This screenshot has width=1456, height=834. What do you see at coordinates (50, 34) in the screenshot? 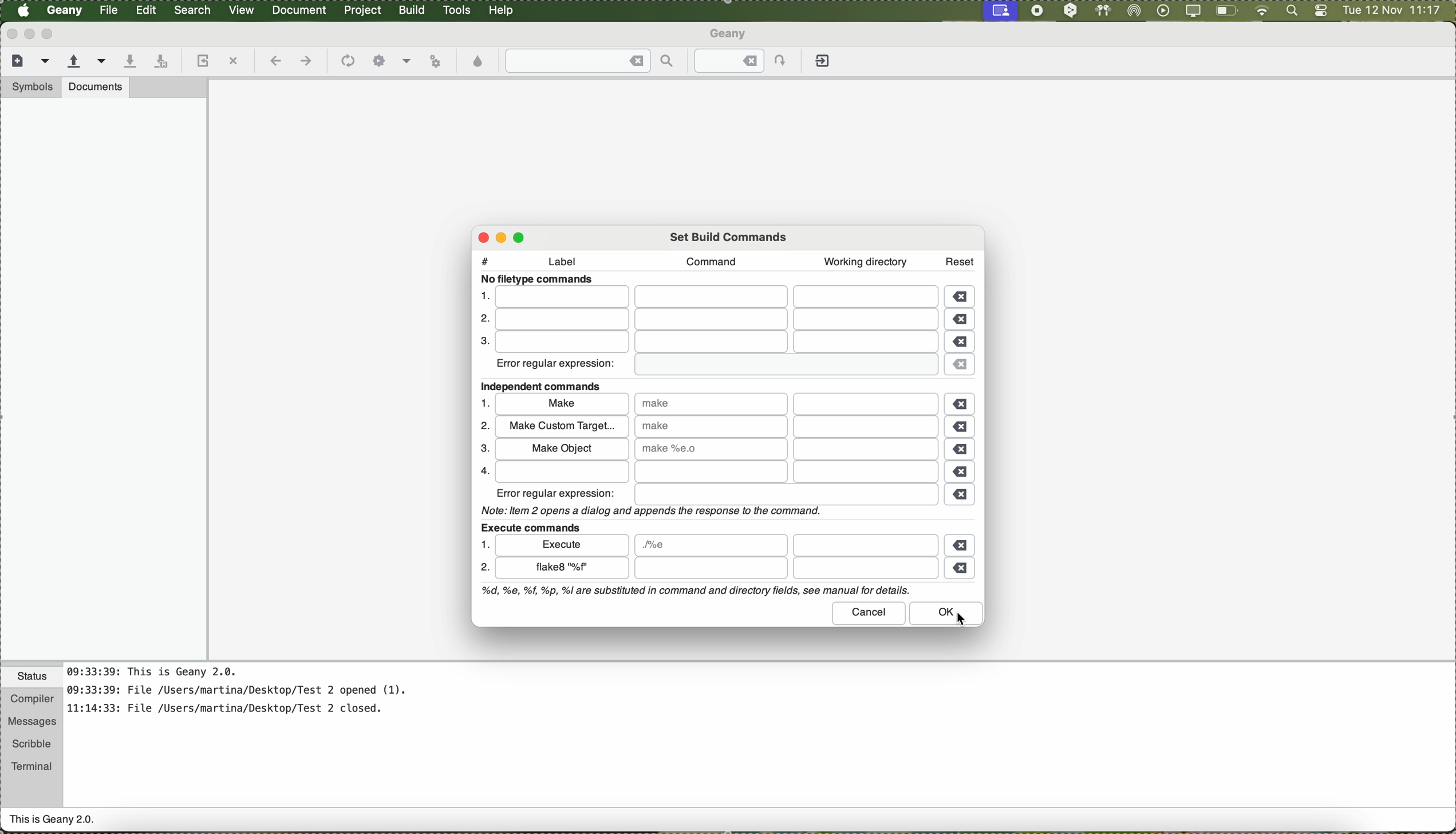
I see `maximize` at bounding box center [50, 34].